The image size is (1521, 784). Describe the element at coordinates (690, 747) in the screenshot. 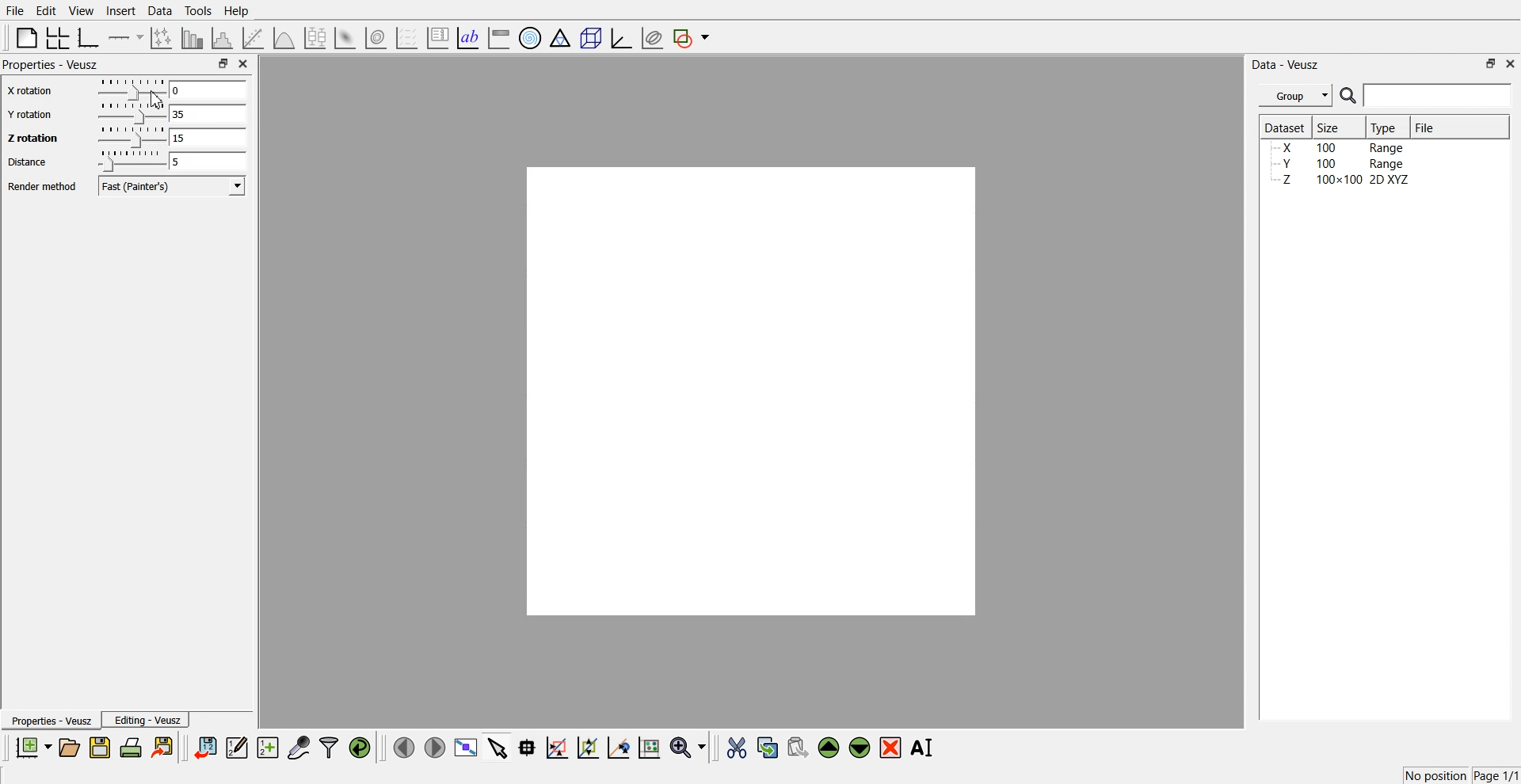

I see `Zoom function menu` at that location.